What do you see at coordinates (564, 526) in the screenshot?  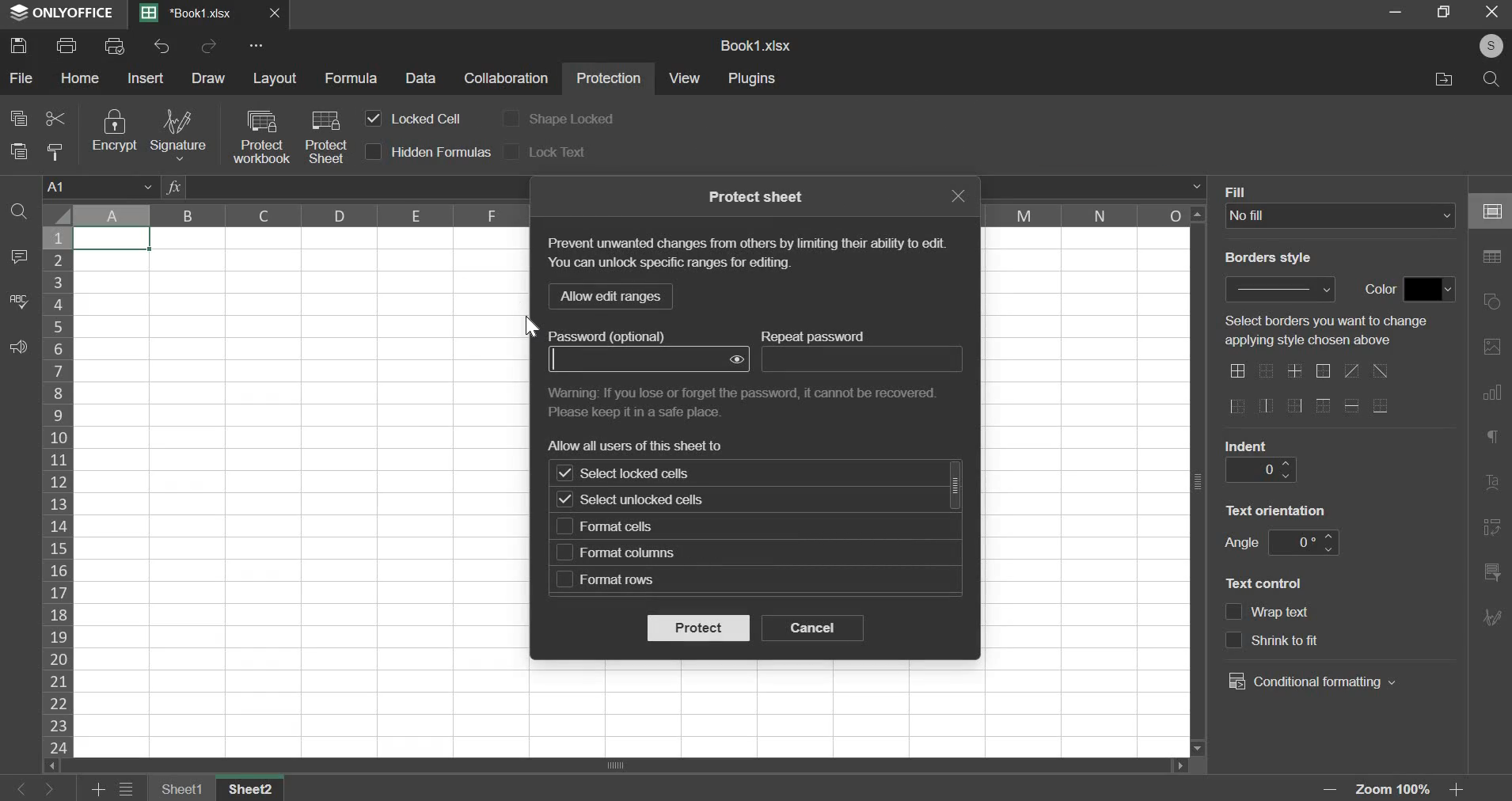 I see `checkbox` at bounding box center [564, 526].